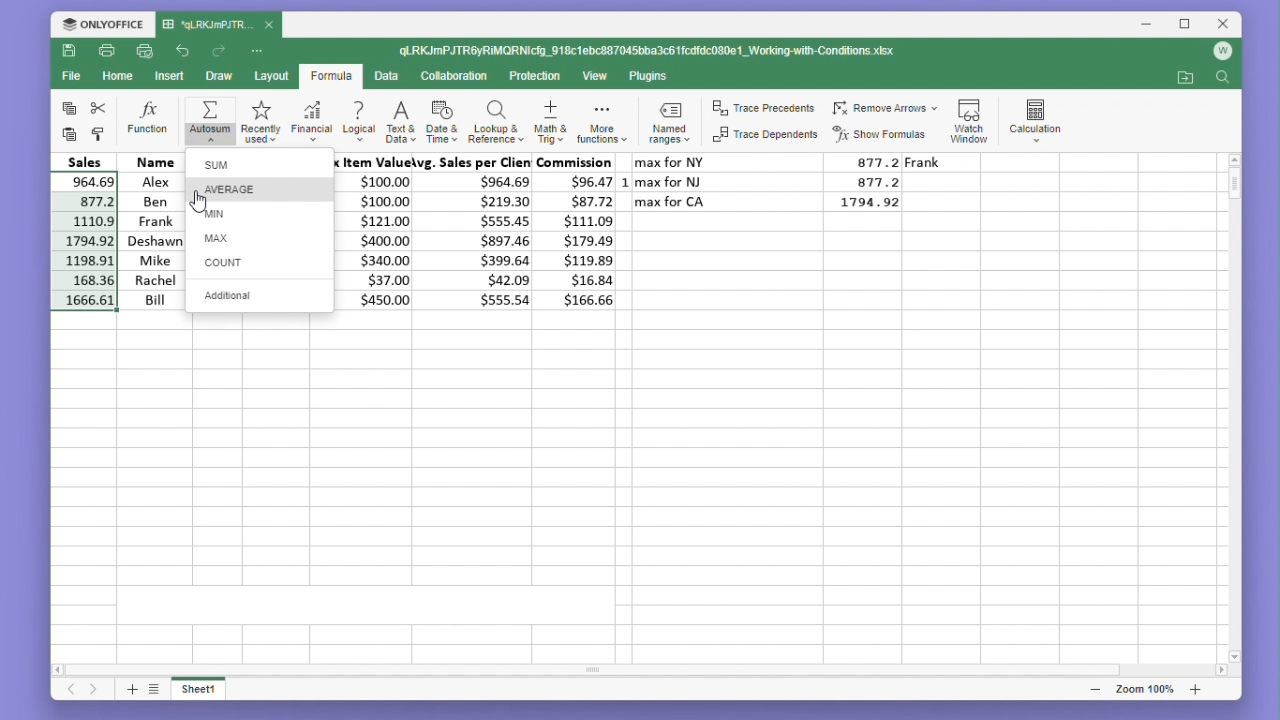  What do you see at coordinates (159, 690) in the screenshot?
I see `List of sheets` at bounding box center [159, 690].